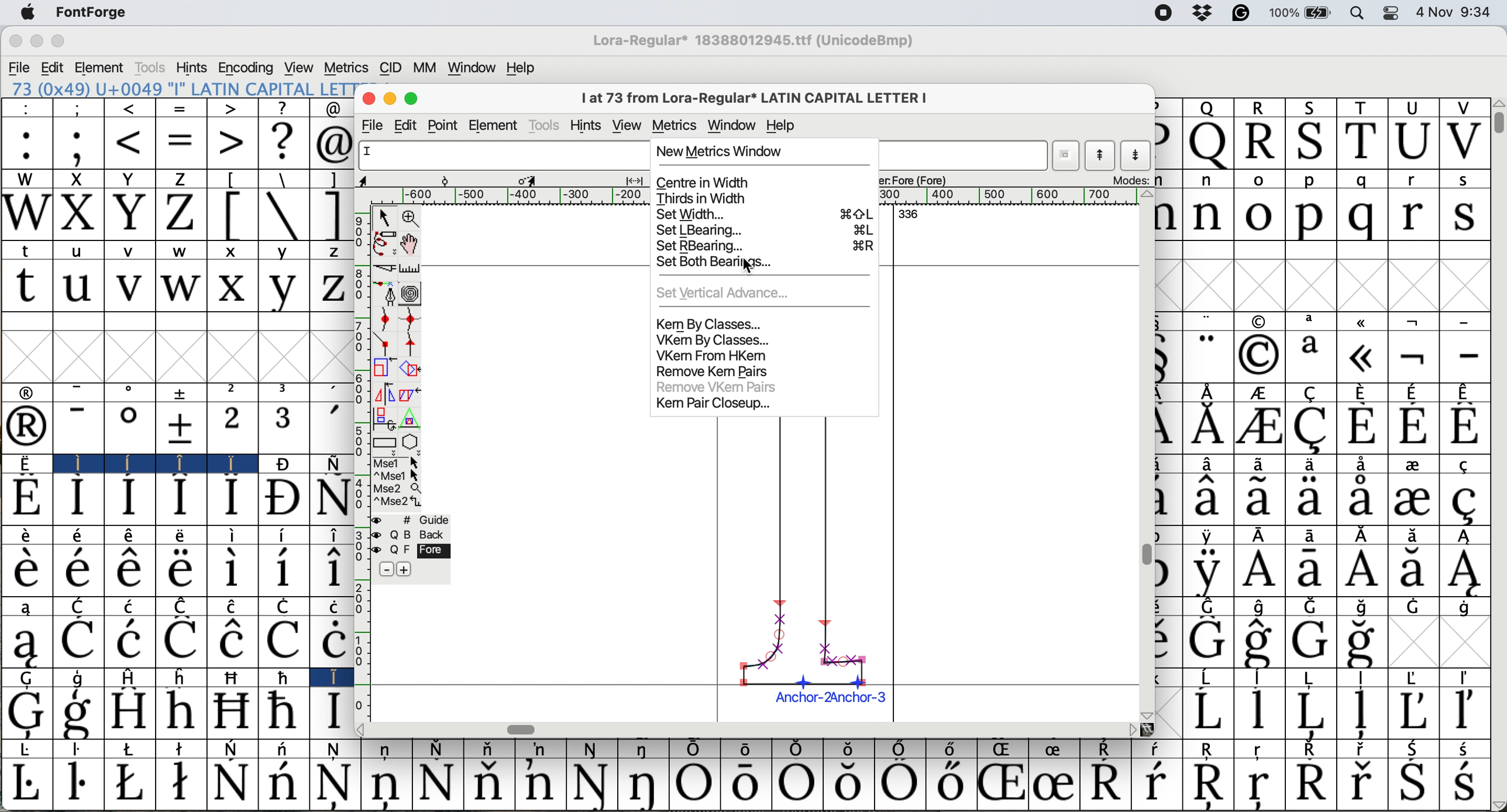 The width and height of the screenshot is (1507, 812). Describe the element at coordinates (438, 784) in the screenshot. I see `Symbol` at that location.